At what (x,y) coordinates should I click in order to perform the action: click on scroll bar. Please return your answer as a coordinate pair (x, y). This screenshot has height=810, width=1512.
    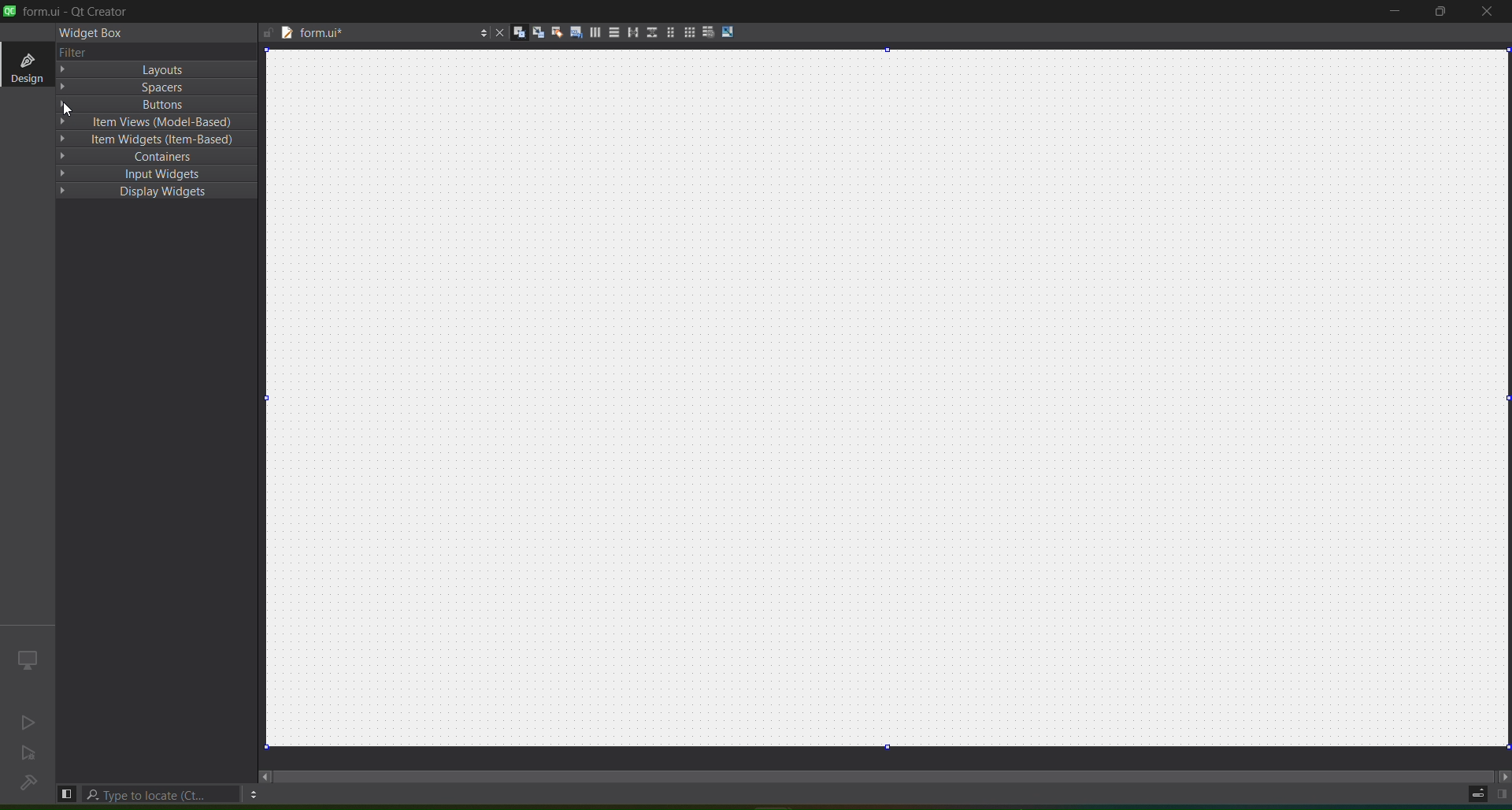
    Looking at the image, I should click on (880, 775).